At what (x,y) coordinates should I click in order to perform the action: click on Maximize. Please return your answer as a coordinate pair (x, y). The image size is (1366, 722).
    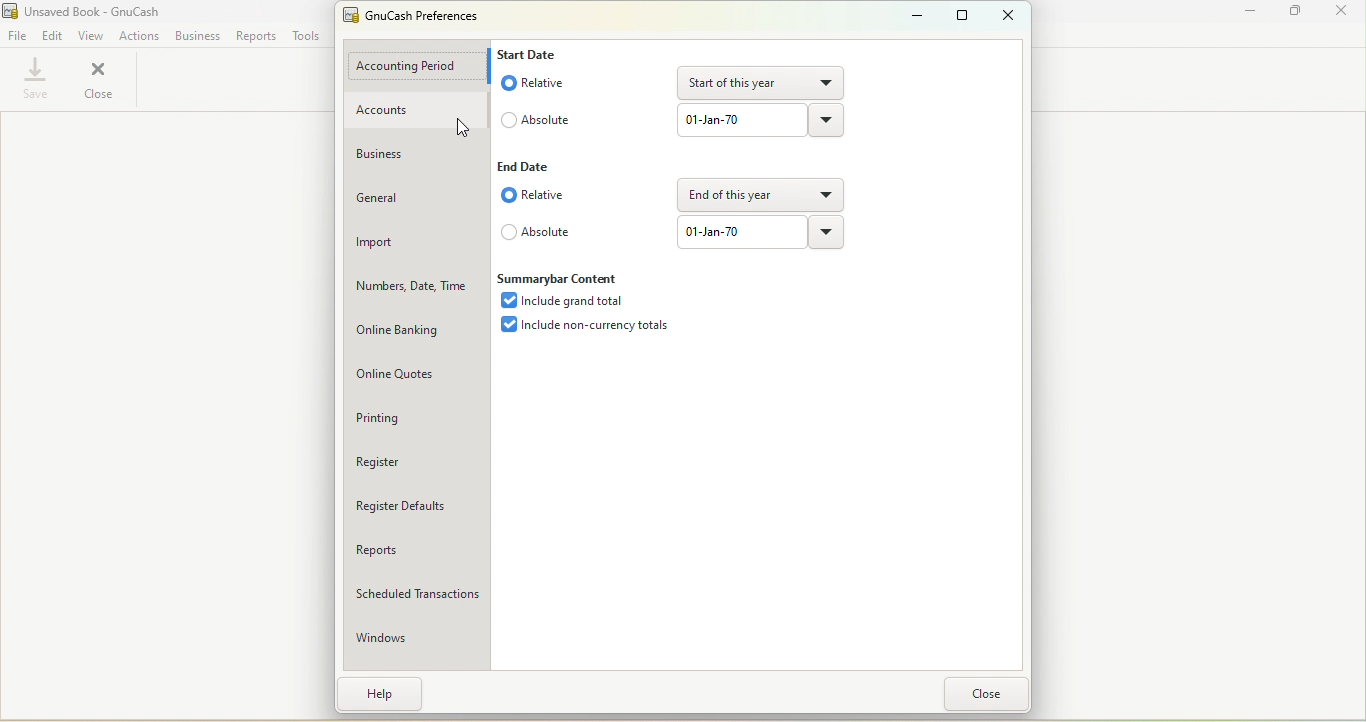
    Looking at the image, I should click on (1298, 11).